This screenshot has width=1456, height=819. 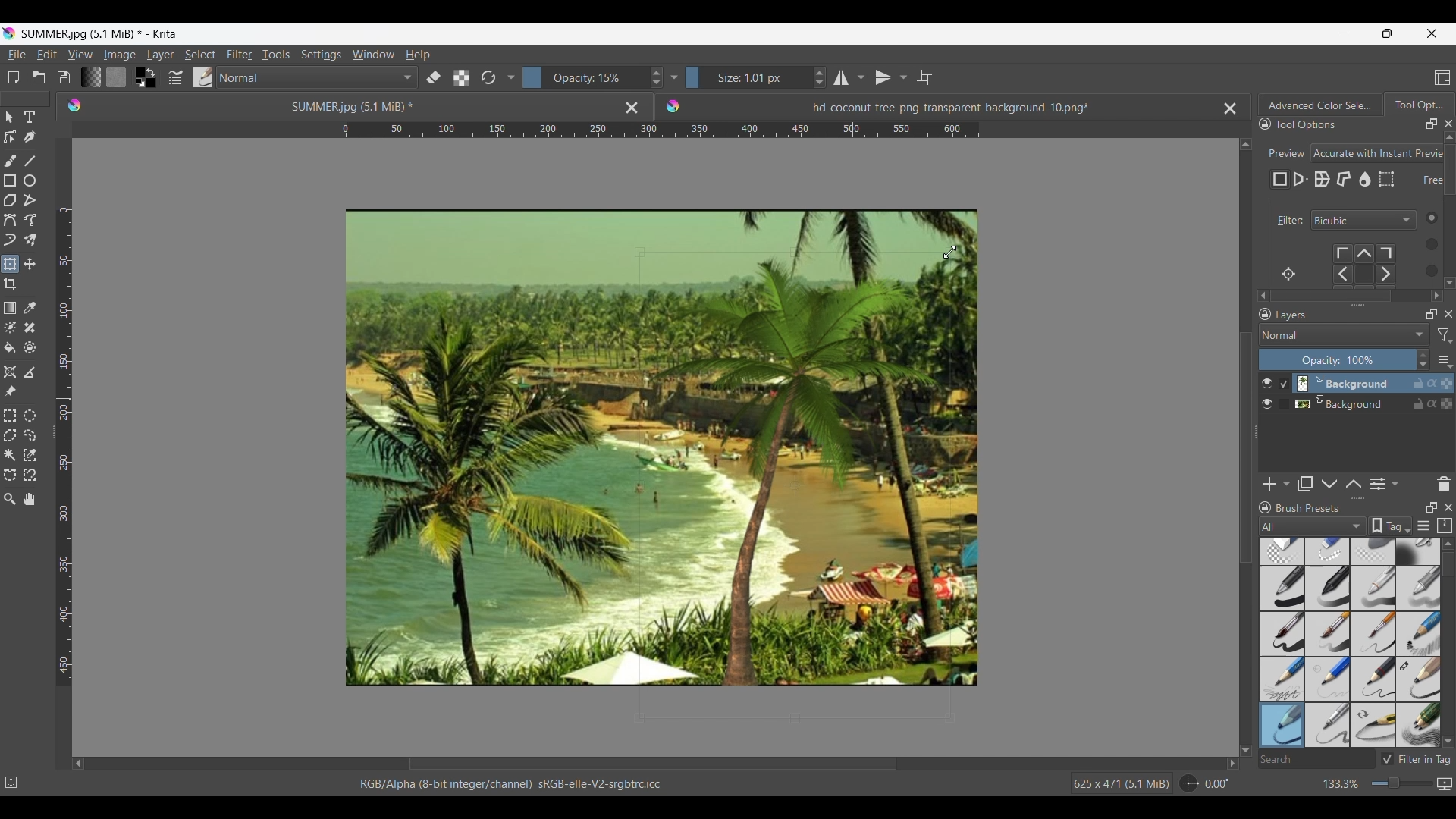 What do you see at coordinates (853, 398) in the screenshot?
I see `Mouse moved transform tool selection` at bounding box center [853, 398].